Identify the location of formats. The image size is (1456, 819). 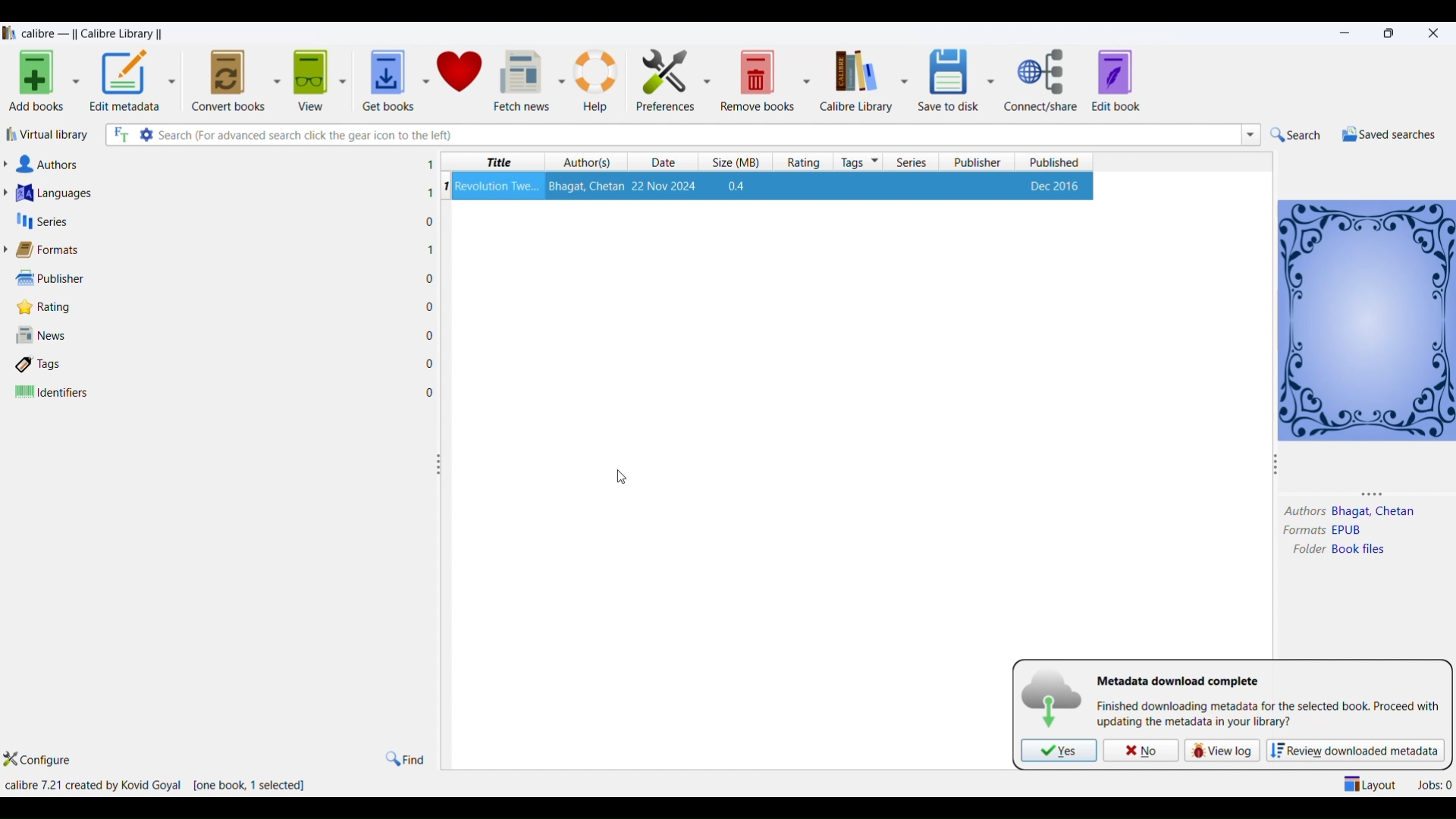
(1300, 531).